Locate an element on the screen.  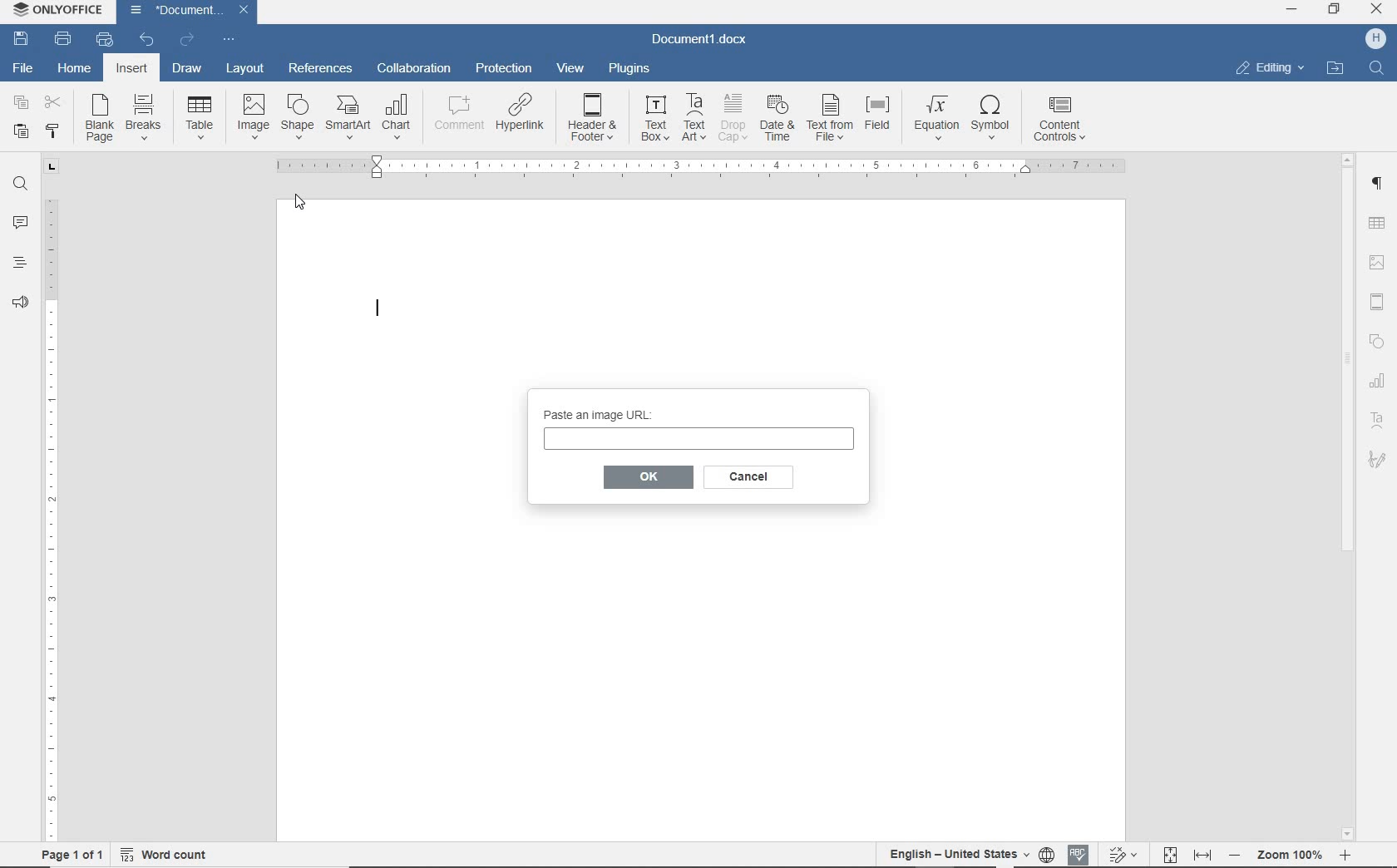
collaboration is located at coordinates (415, 67).